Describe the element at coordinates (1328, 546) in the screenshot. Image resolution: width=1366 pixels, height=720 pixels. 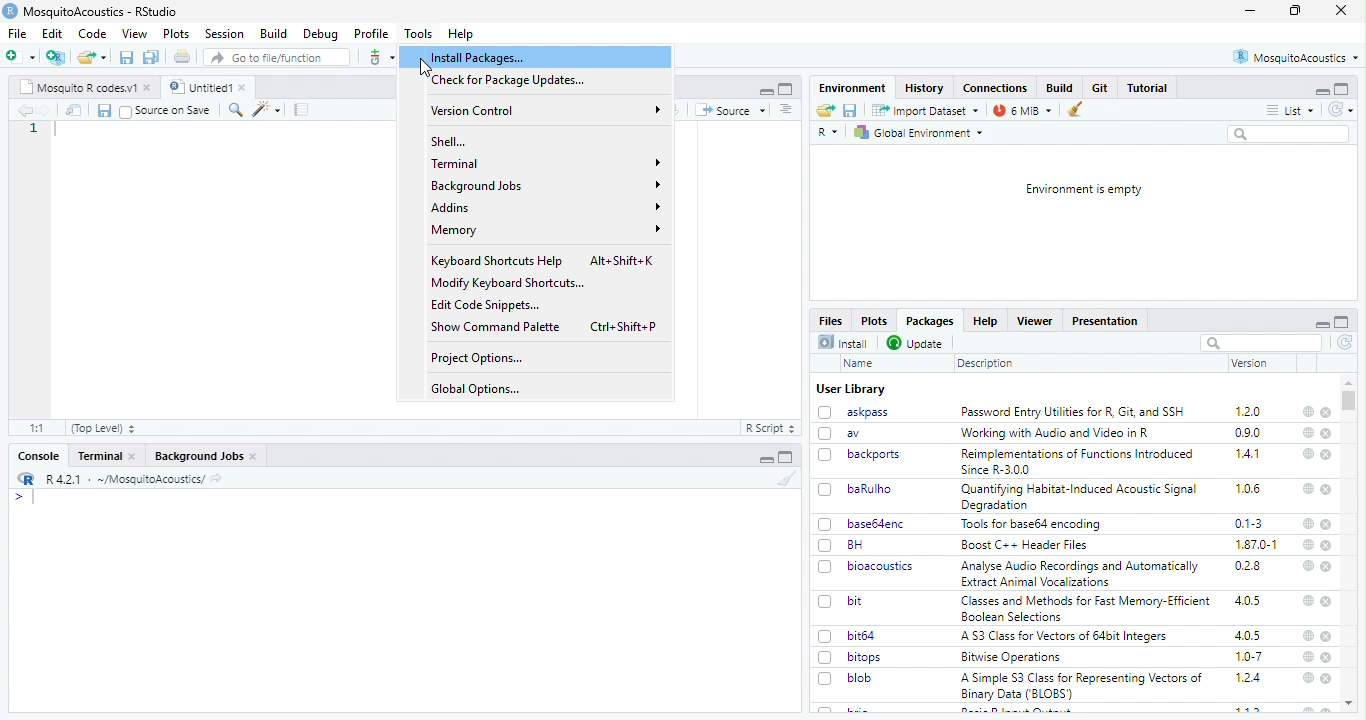
I see `close` at that location.